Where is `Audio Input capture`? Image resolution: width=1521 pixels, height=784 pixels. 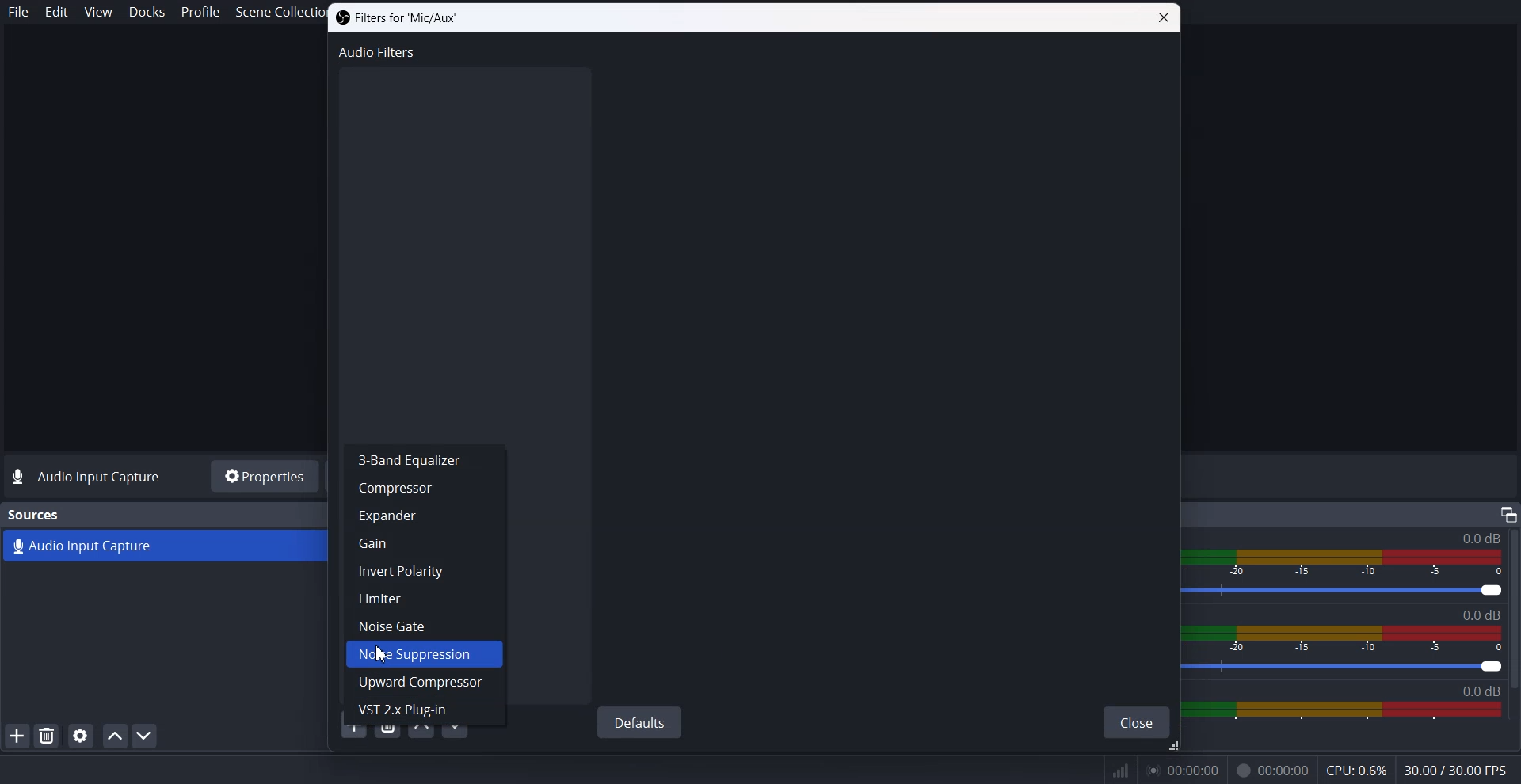
Audio Input capture is located at coordinates (1480, 539).